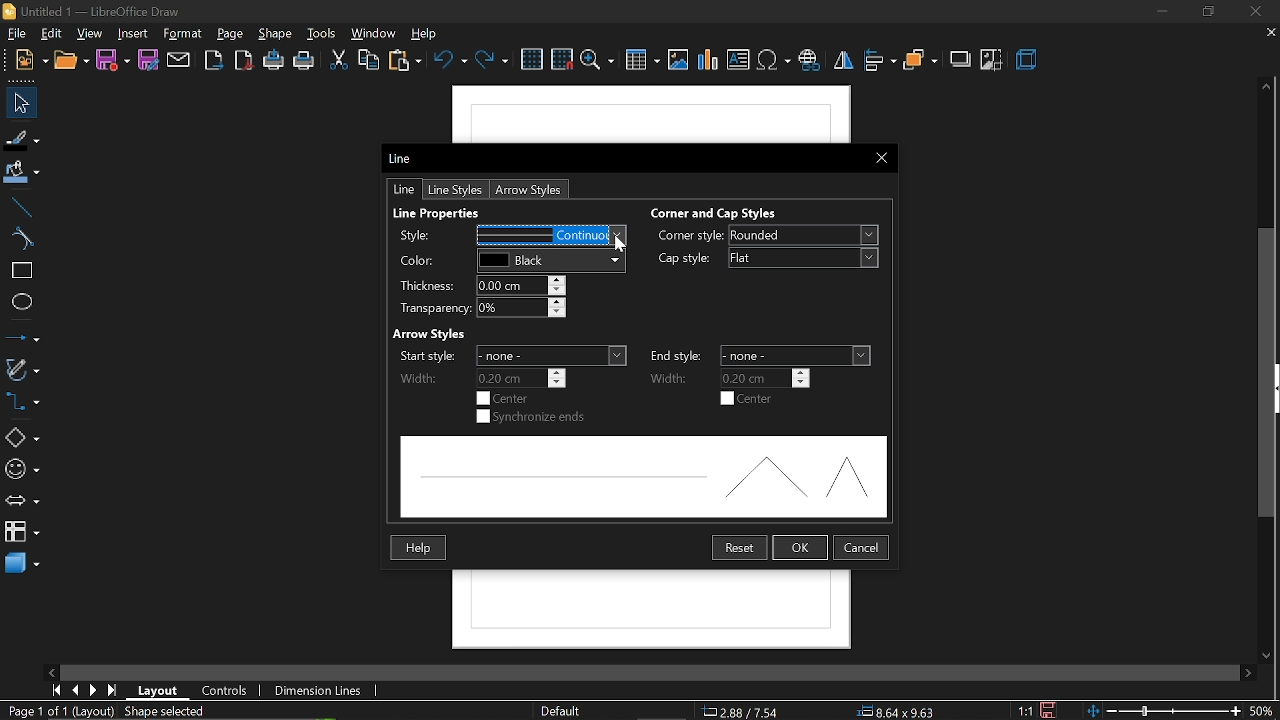 This screenshot has height=720, width=1280. I want to click on insert symbol, so click(773, 60).